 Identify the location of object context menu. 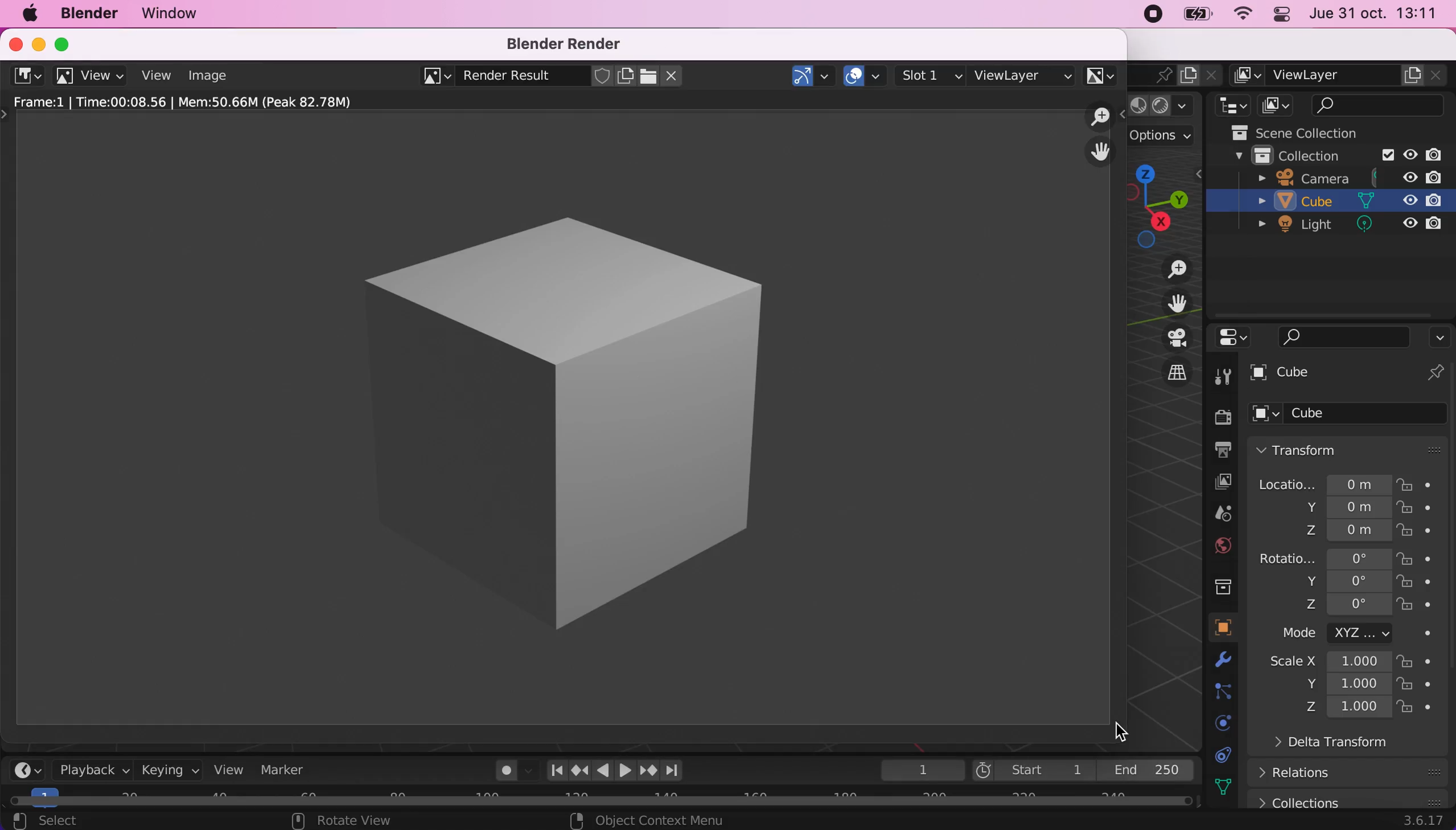
(650, 820).